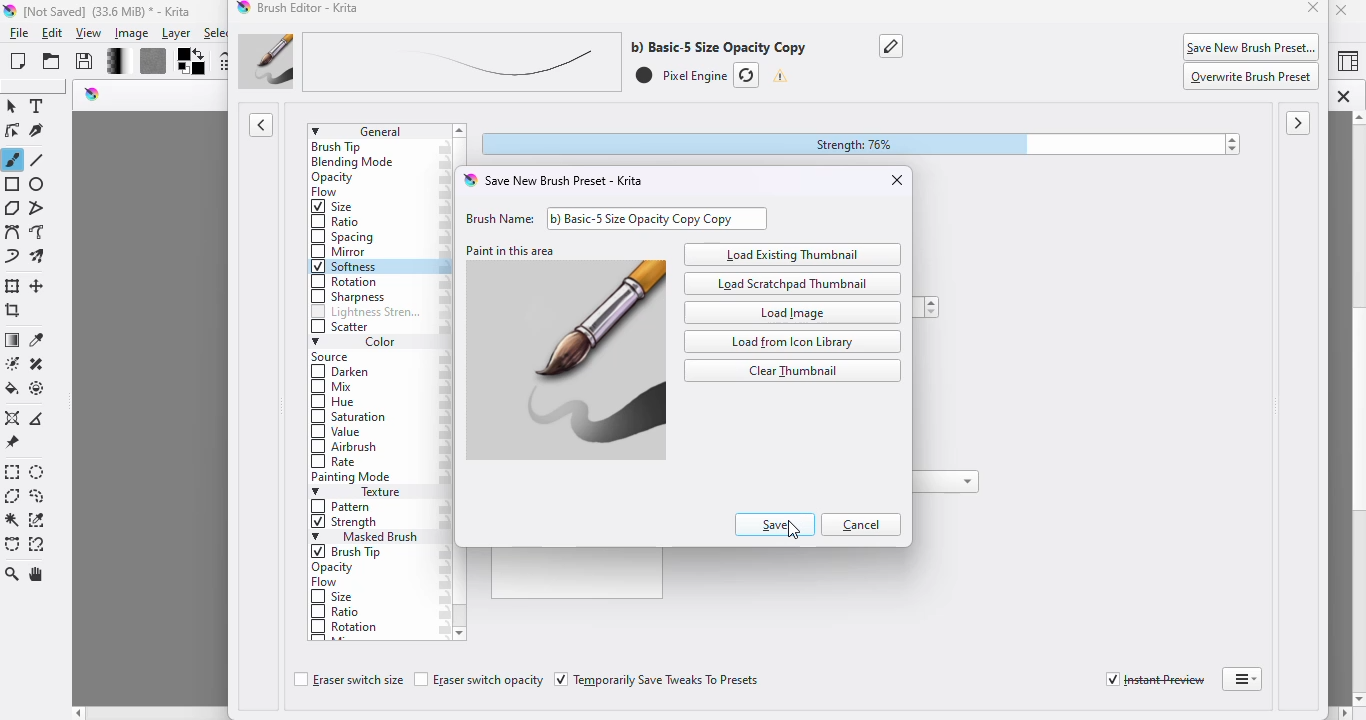 This screenshot has height=720, width=1366. What do you see at coordinates (38, 185) in the screenshot?
I see `ellipse tool` at bounding box center [38, 185].